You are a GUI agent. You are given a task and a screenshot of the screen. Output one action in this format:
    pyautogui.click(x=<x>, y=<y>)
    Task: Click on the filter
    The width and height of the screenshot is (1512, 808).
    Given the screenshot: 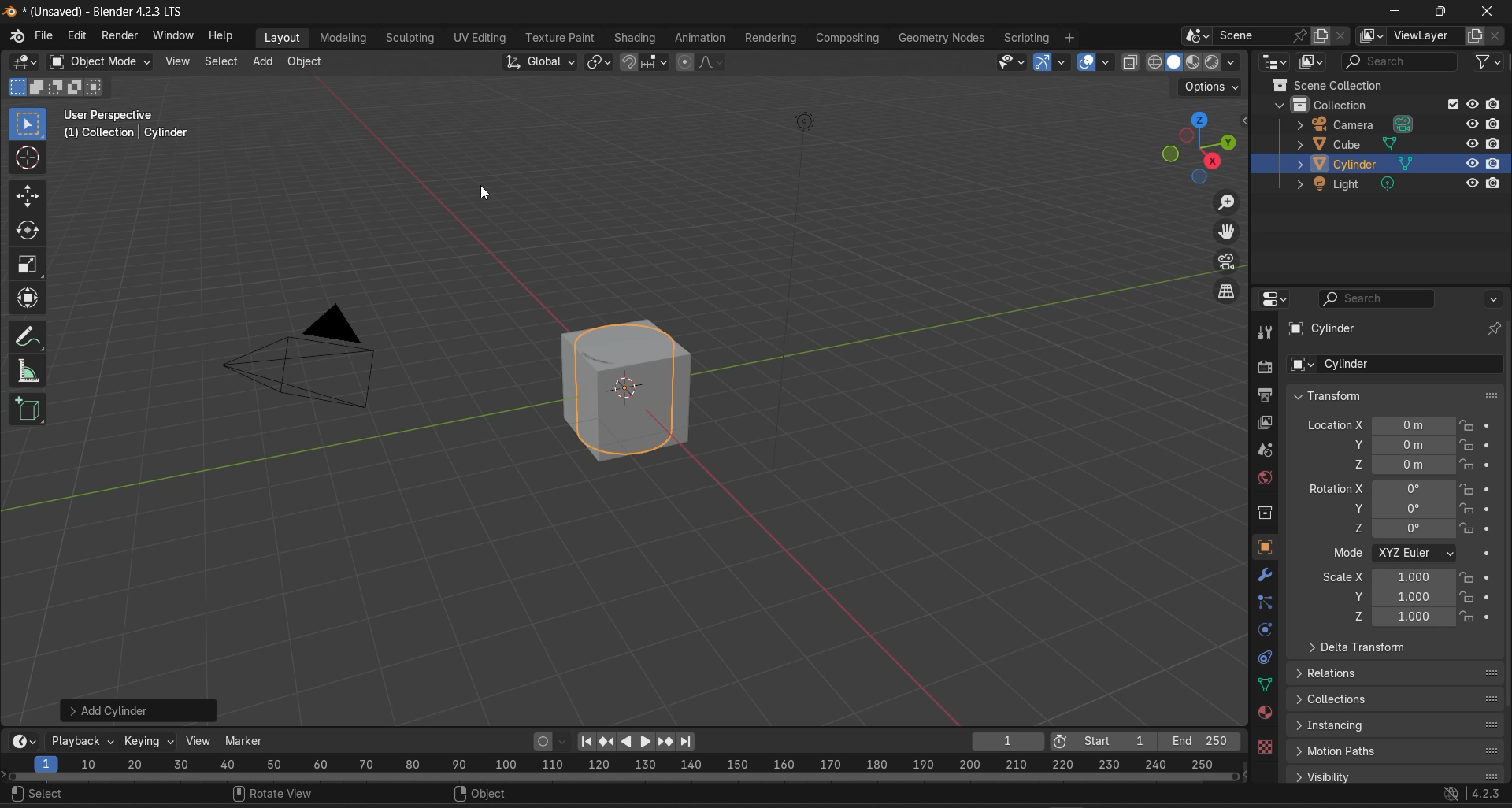 What is the action you would take?
    pyautogui.click(x=1488, y=65)
    